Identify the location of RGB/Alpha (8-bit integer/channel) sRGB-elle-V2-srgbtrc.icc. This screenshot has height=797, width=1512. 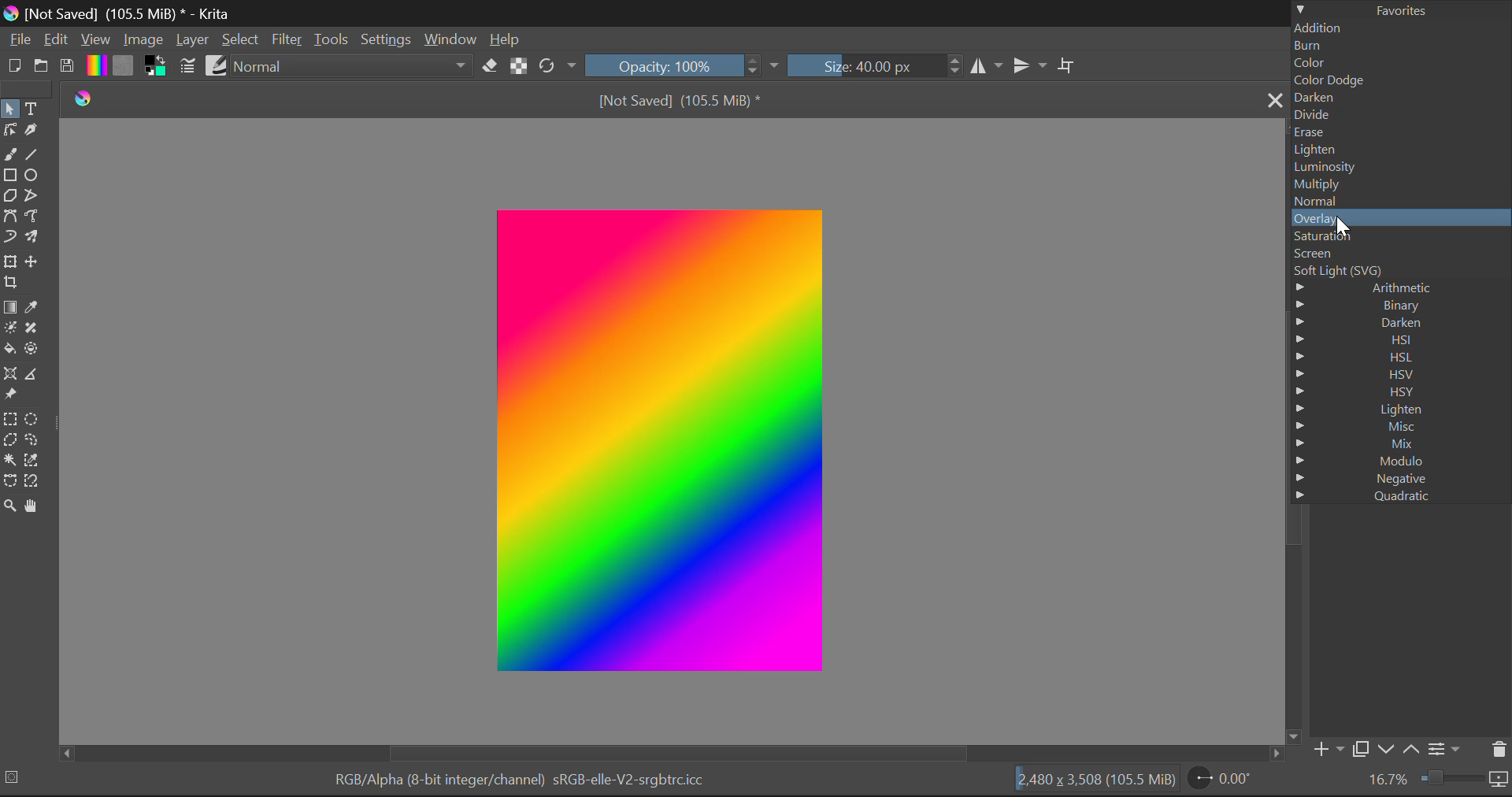
(521, 780).